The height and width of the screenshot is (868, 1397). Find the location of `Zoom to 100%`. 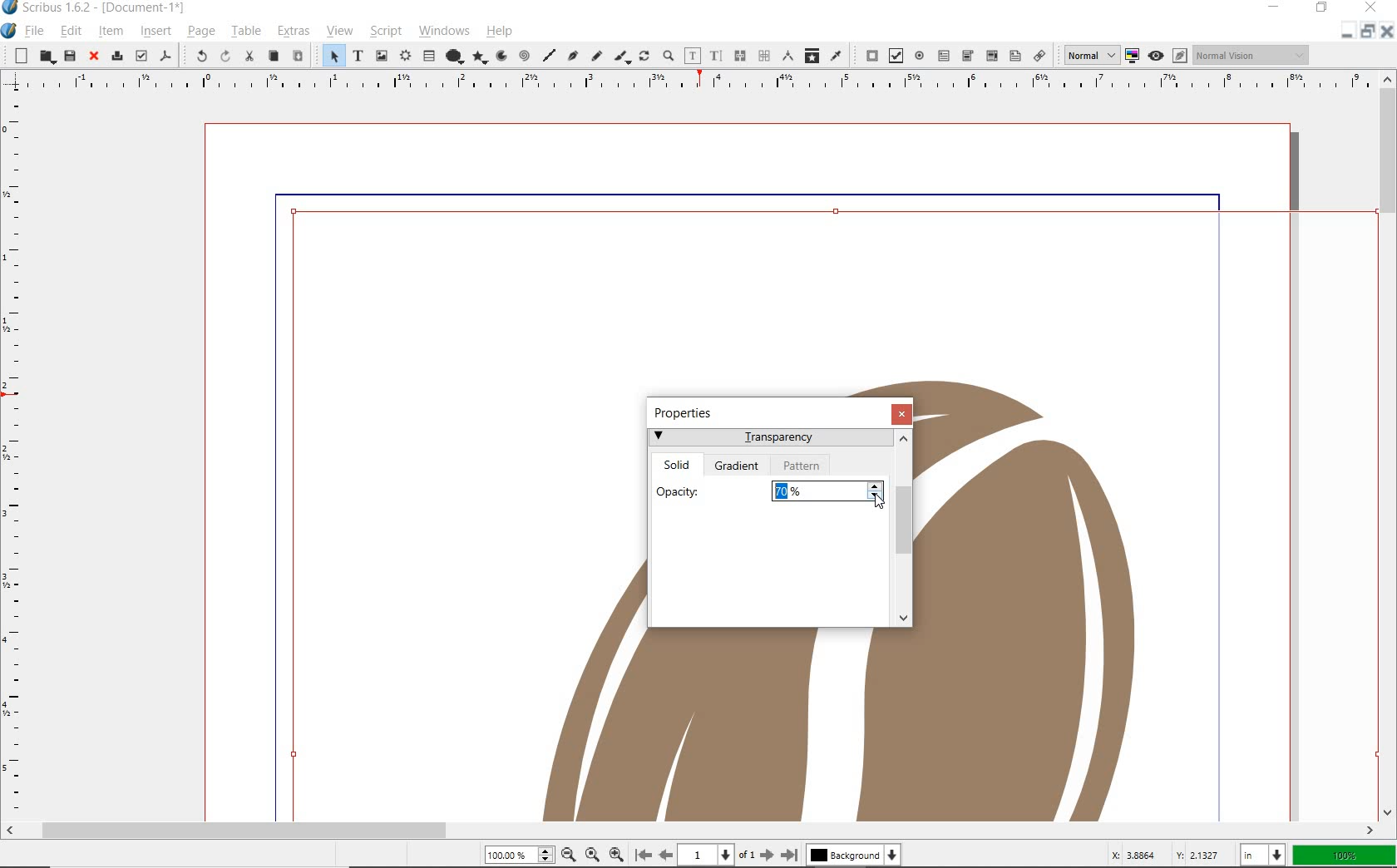

Zoom to 100% is located at coordinates (594, 855).